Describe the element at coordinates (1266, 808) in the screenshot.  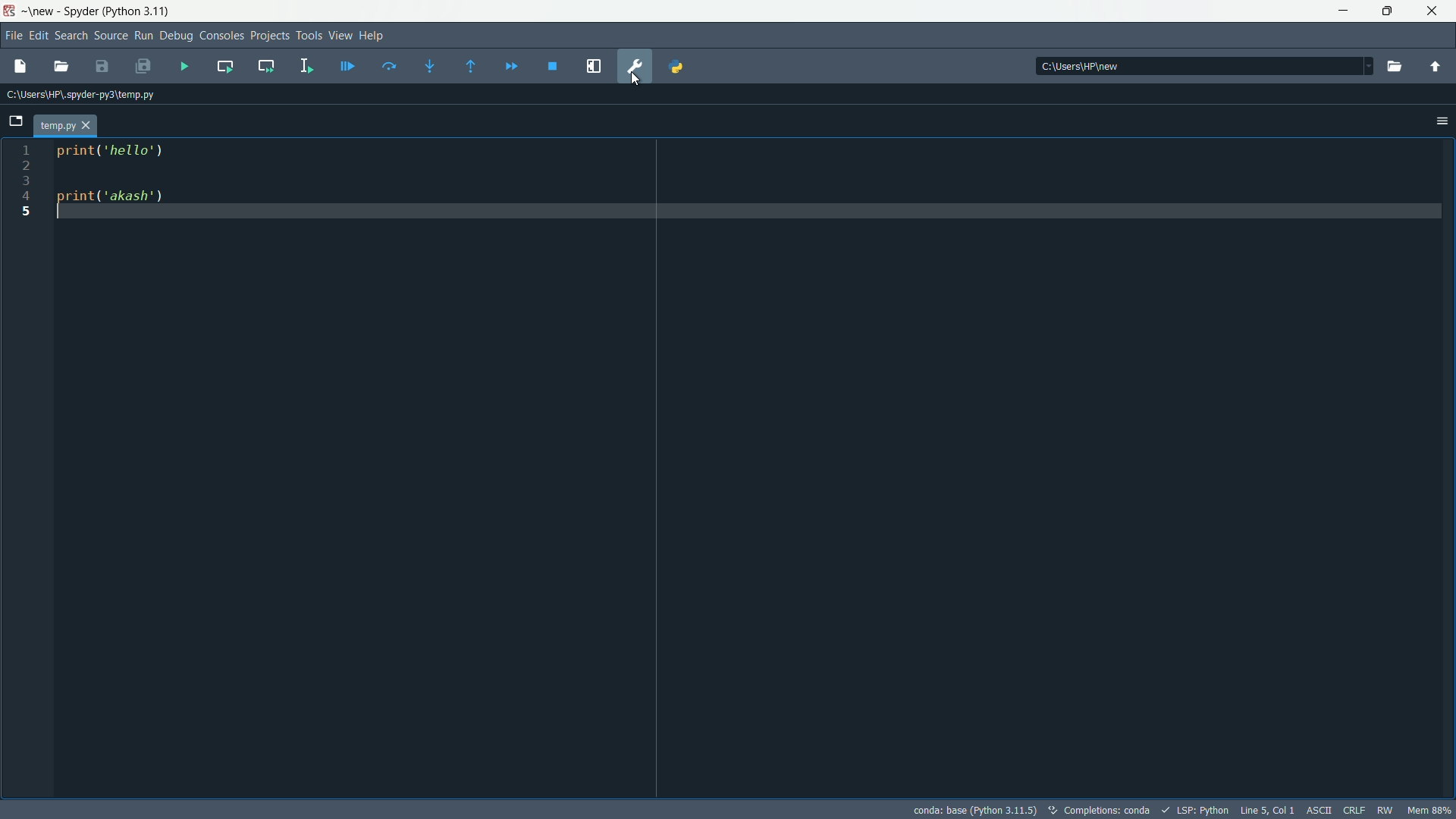
I see `Line 5, Col 1` at that location.